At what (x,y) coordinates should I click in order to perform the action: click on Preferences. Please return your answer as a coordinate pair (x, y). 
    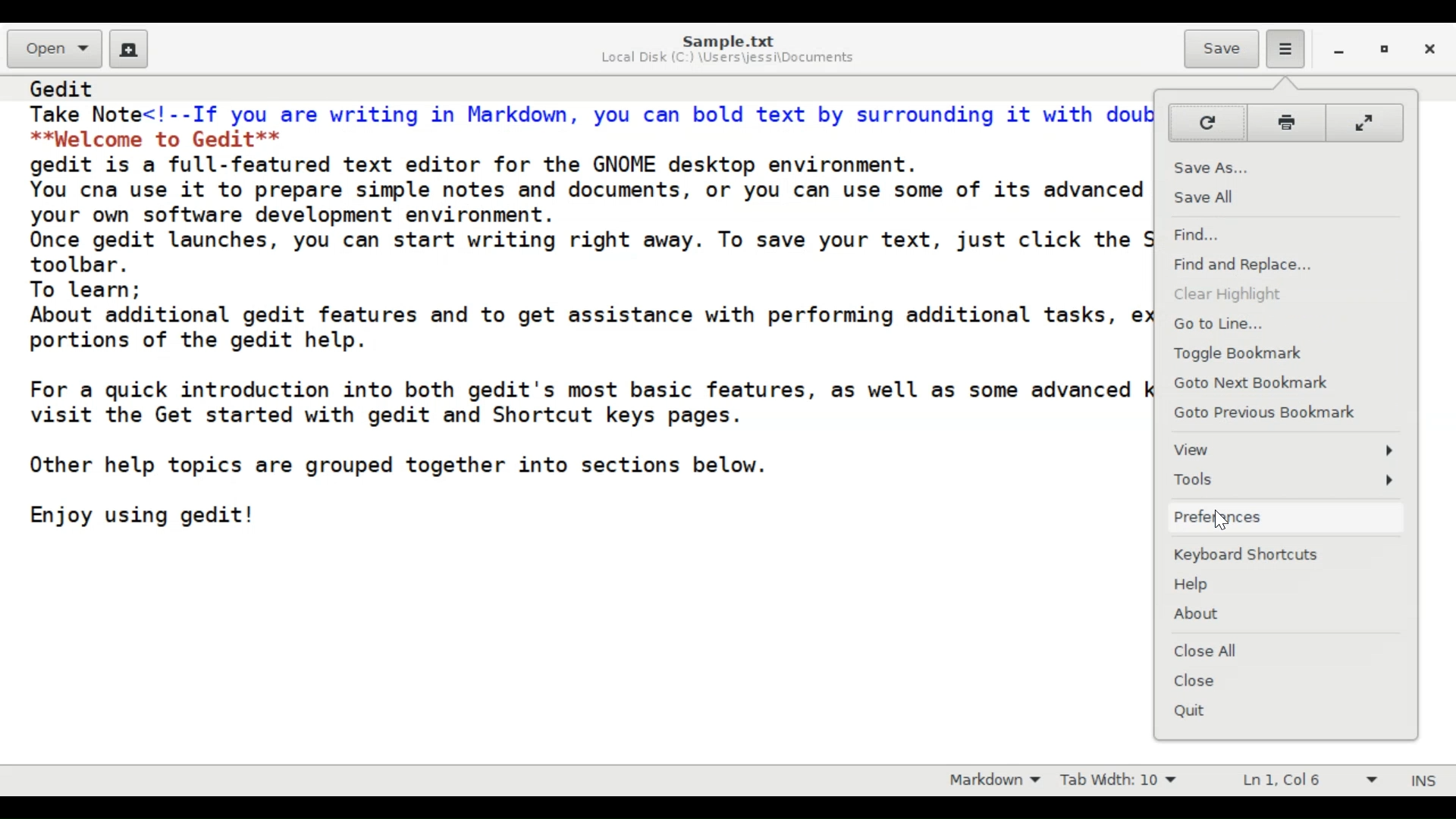
    Looking at the image, I should click on (1284, 515).